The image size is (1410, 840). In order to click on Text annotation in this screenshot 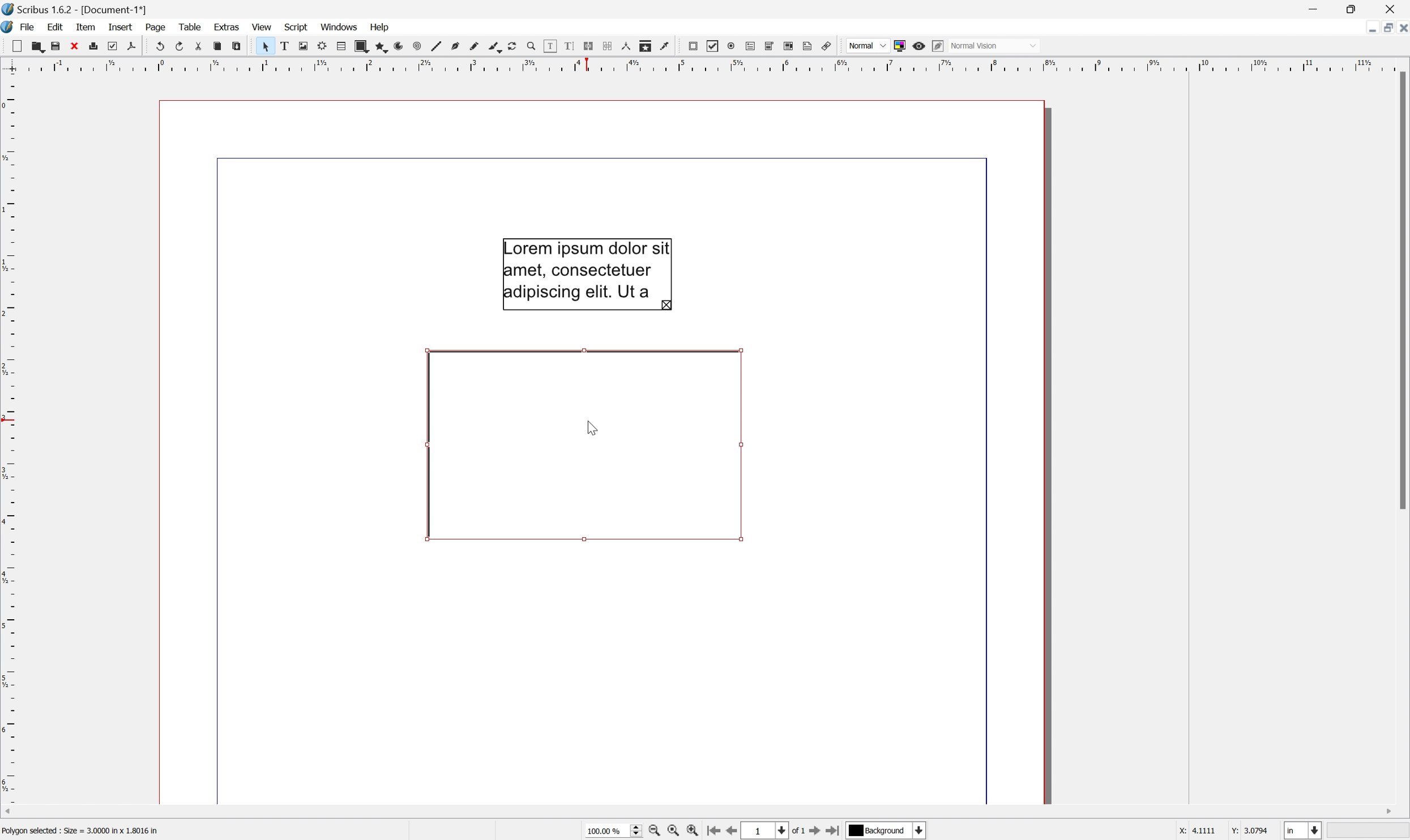, I will do `click(810, 46)`.